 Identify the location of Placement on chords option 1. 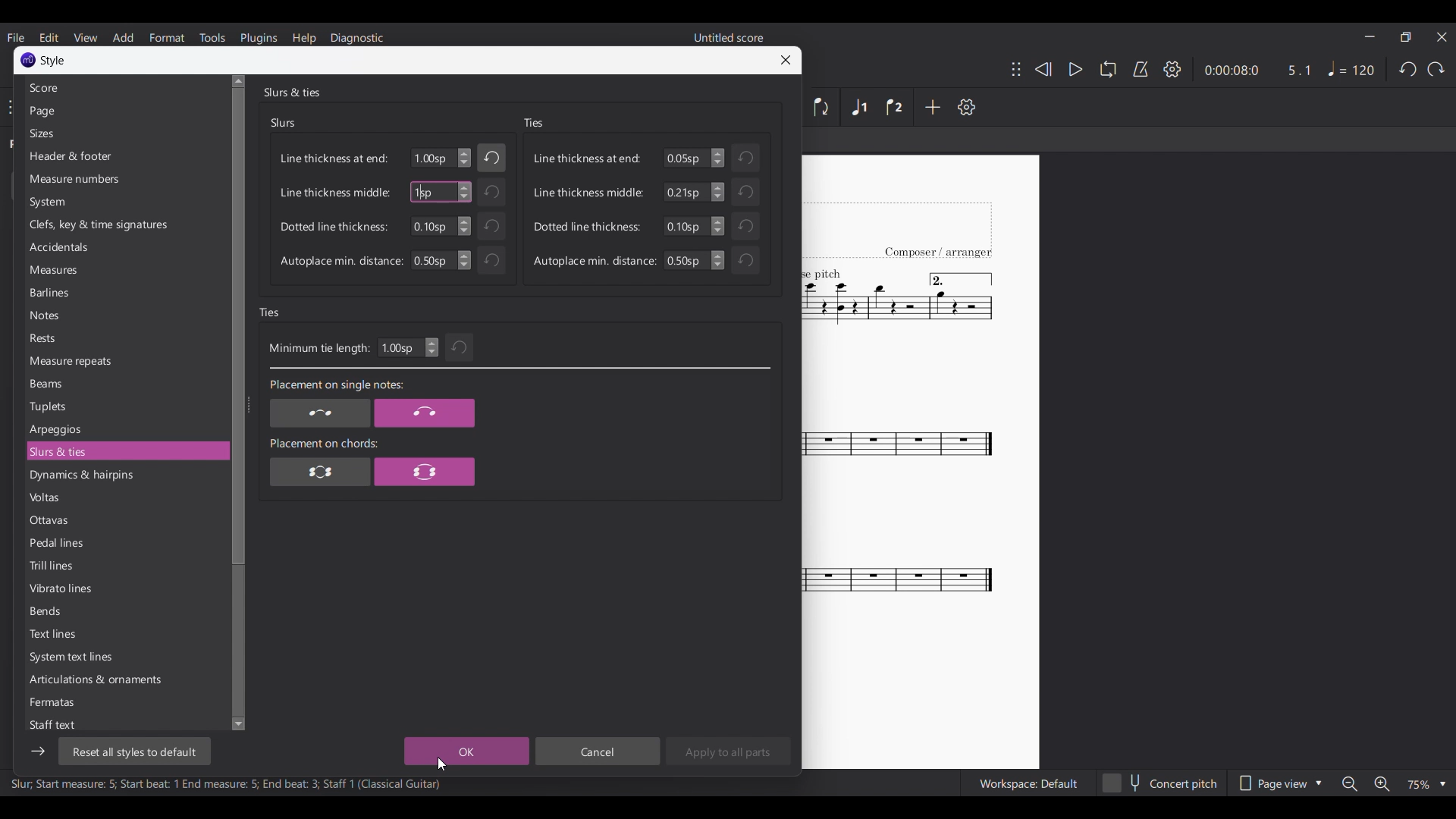
(321, 471).